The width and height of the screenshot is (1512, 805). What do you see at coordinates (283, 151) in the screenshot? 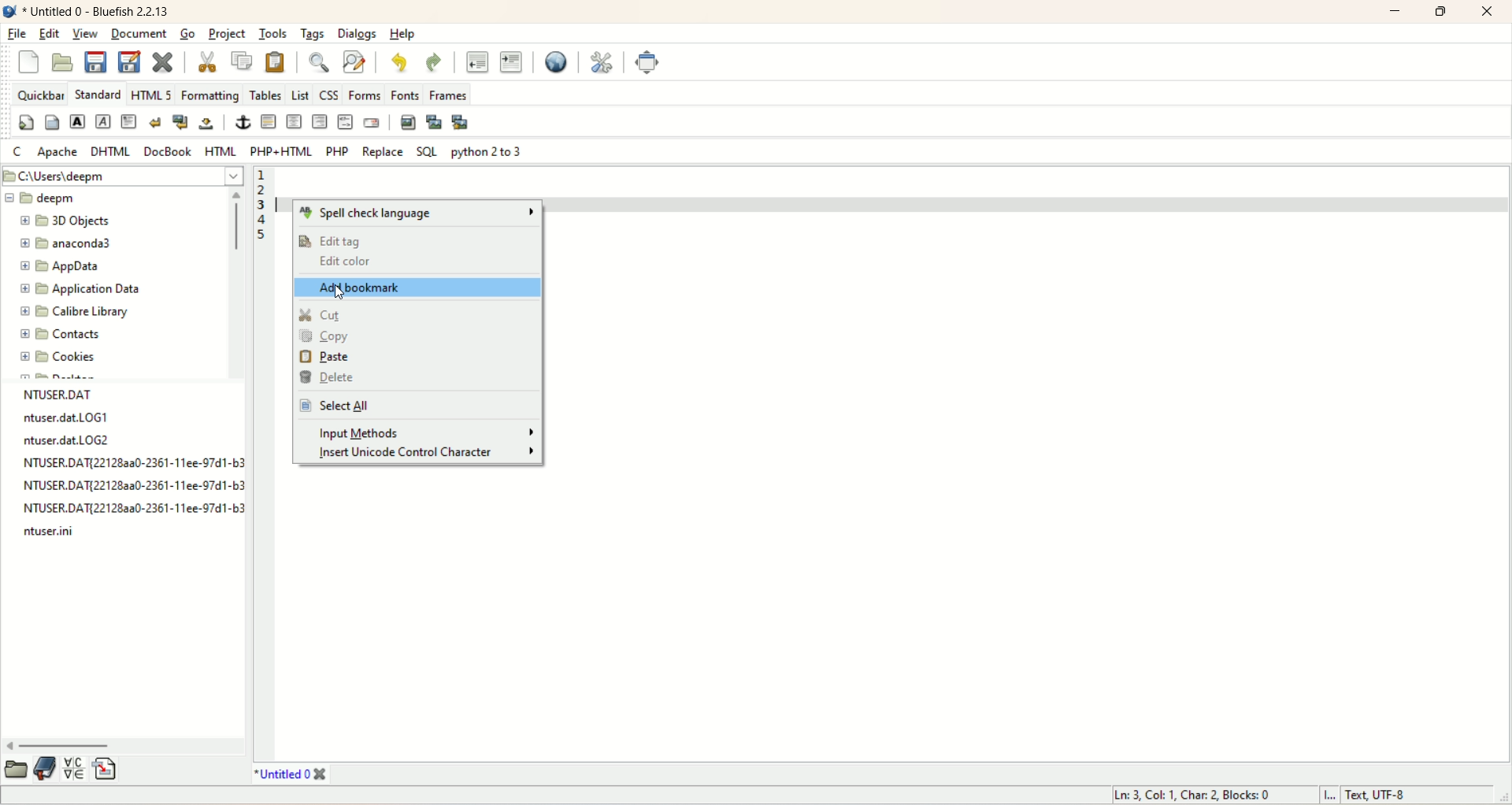
I see `PHP+HTML` at bounding box center [283, 151].